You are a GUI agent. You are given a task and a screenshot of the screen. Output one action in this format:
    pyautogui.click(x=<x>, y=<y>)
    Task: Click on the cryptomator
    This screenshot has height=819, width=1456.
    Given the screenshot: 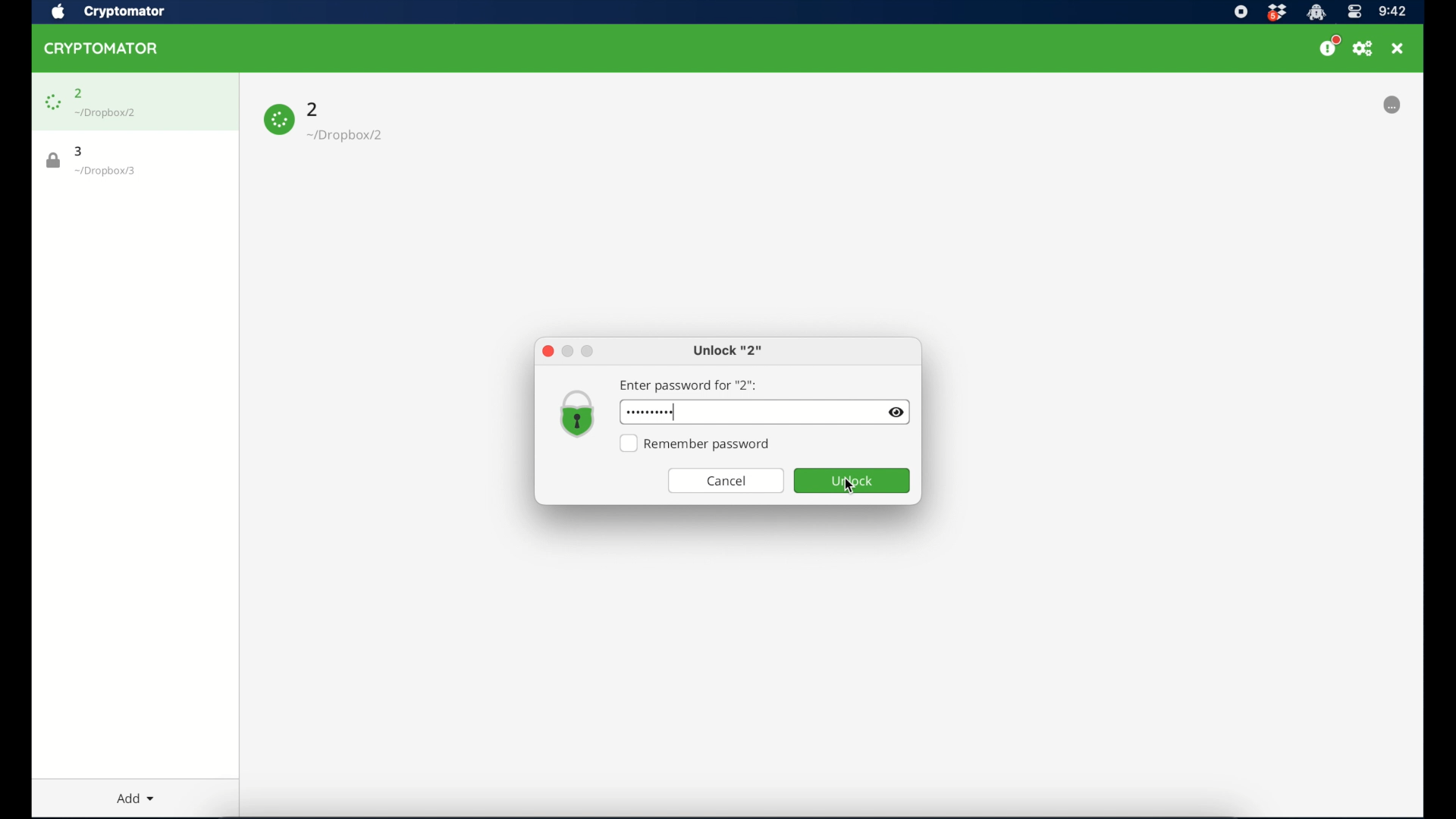 What is the action you would take?
    pyautogui.click(x=102, y=48)
    